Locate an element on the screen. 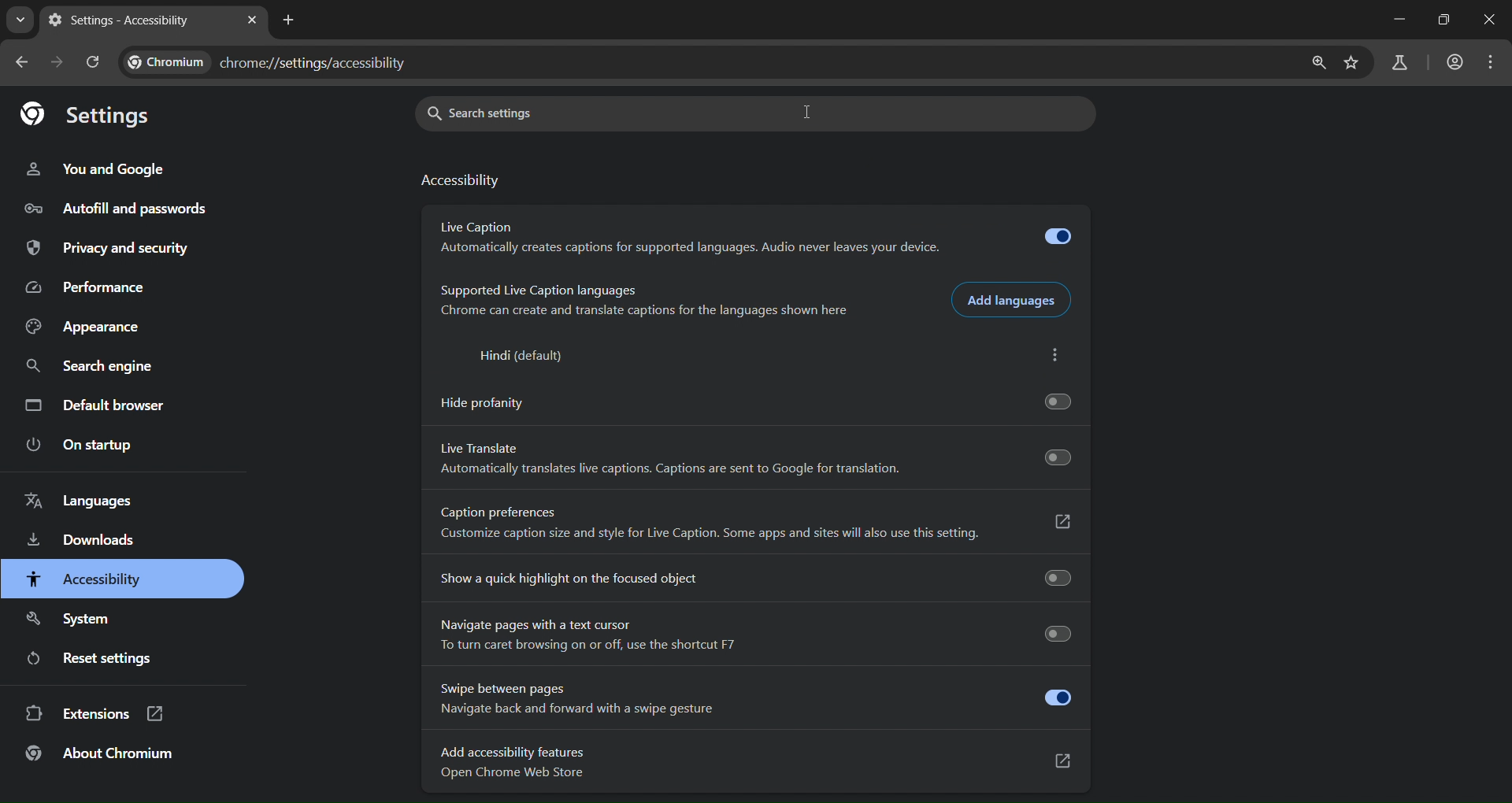 The height and width of the screenshot is (803, 1512). add languages is located at coordinates (1014, 299).